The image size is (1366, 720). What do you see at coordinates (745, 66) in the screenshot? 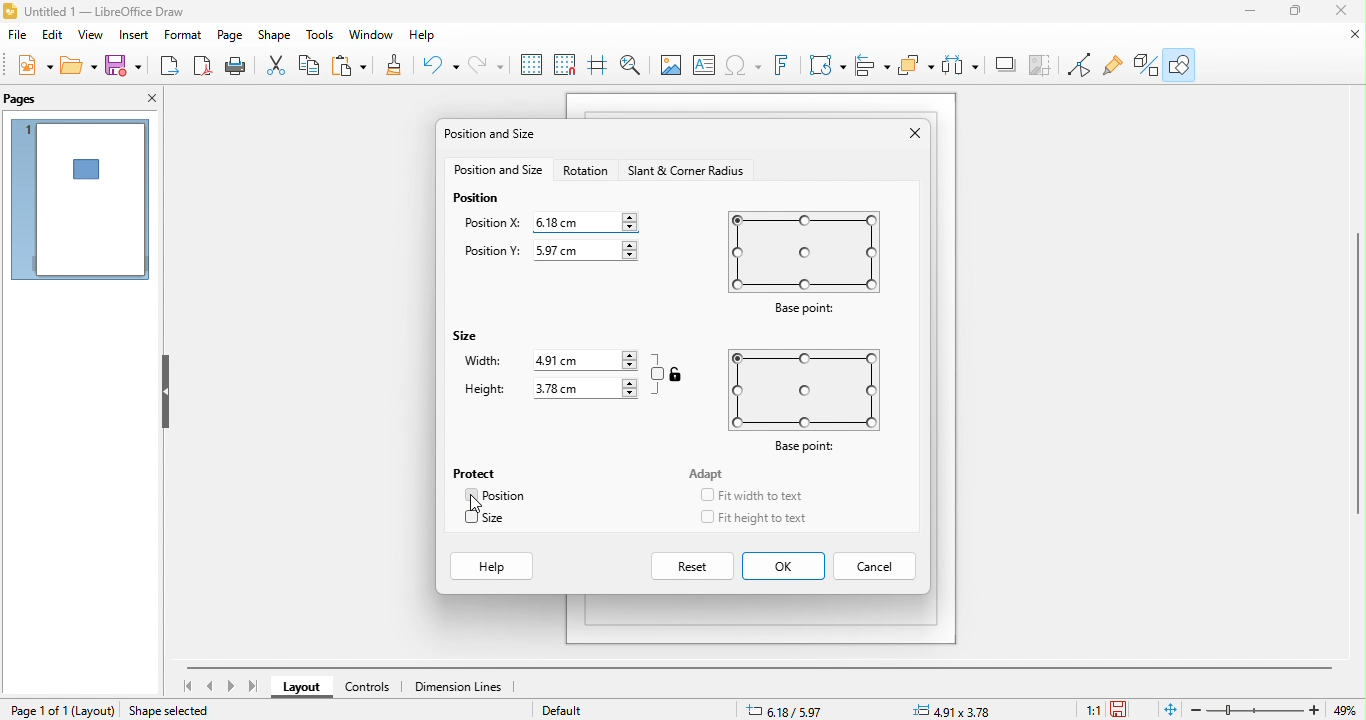
I see `special character` at bounding box center [745, 66].